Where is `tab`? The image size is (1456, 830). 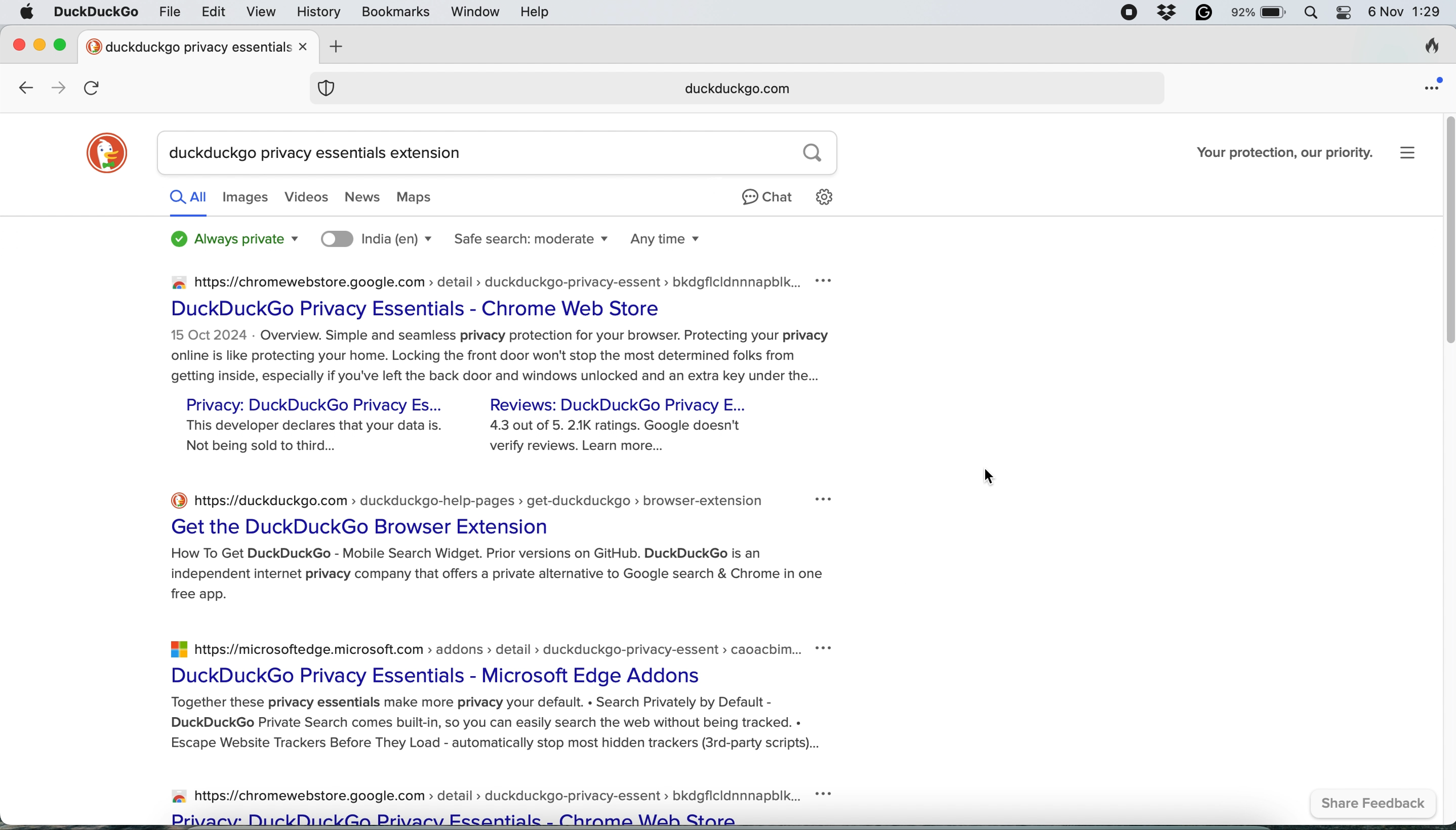 tab is located at coordinates (185, 46).